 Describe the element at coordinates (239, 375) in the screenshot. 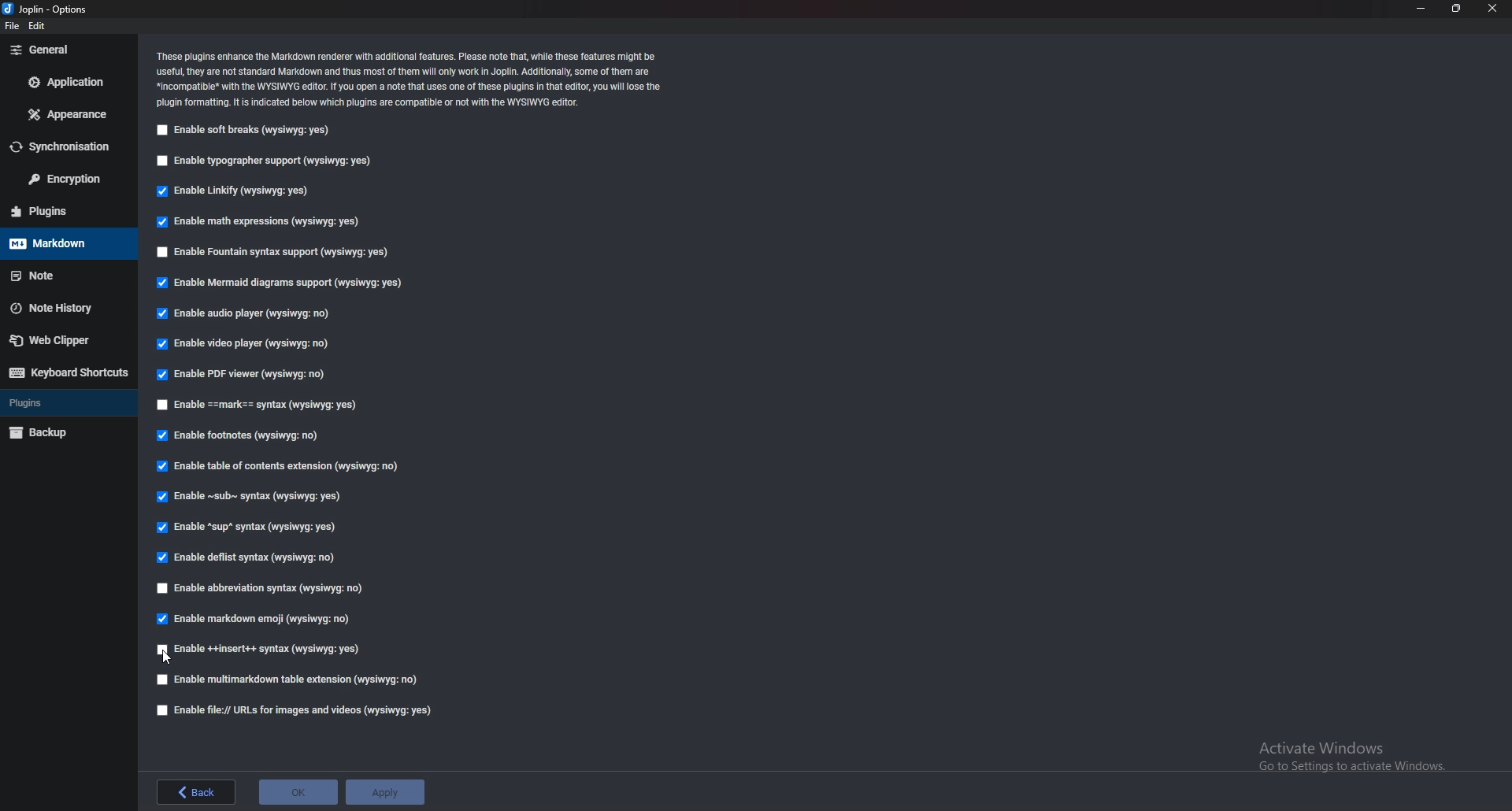

I see `Enable P D F viewer` at that location.